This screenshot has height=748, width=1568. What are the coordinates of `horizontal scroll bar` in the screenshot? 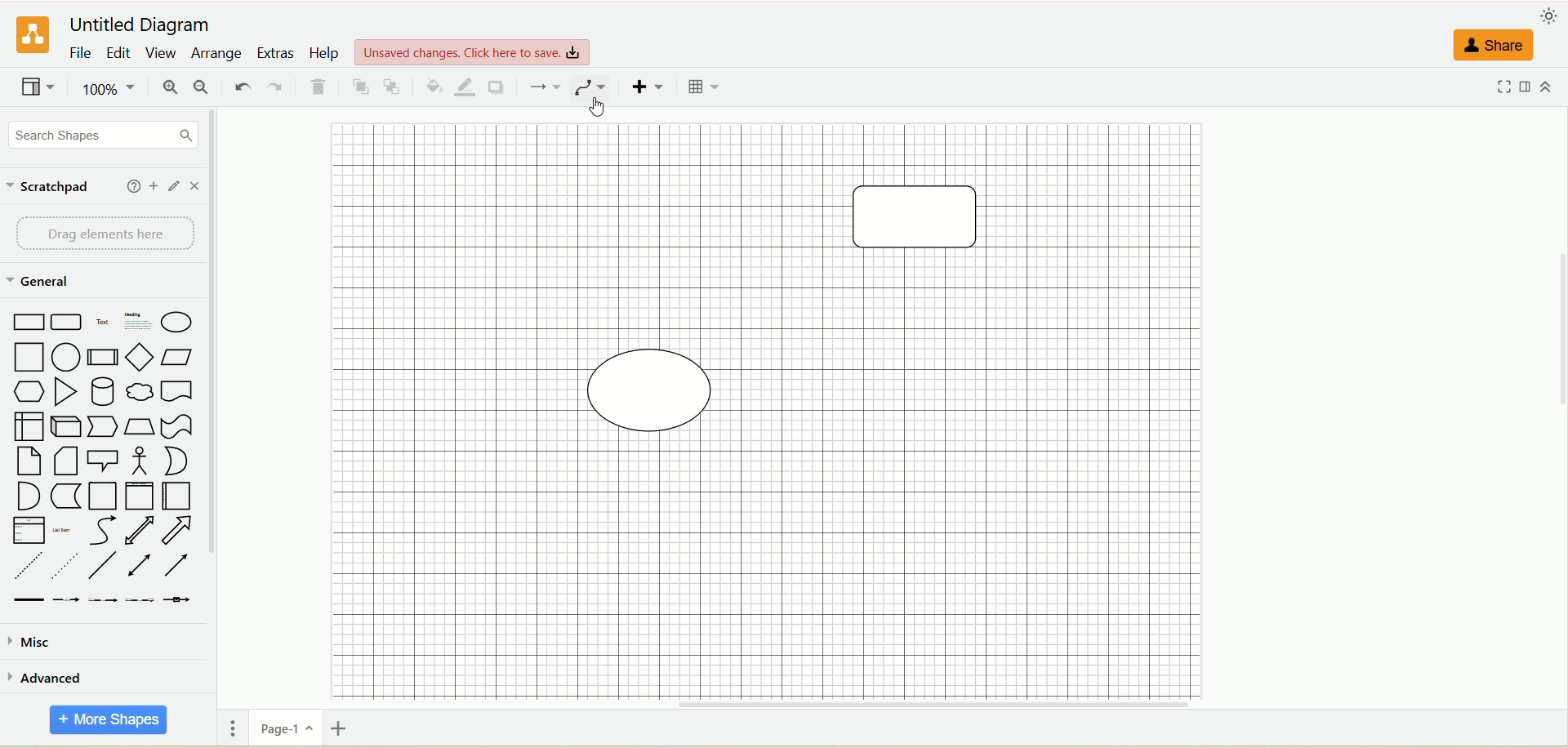 It's located at (889, 705).